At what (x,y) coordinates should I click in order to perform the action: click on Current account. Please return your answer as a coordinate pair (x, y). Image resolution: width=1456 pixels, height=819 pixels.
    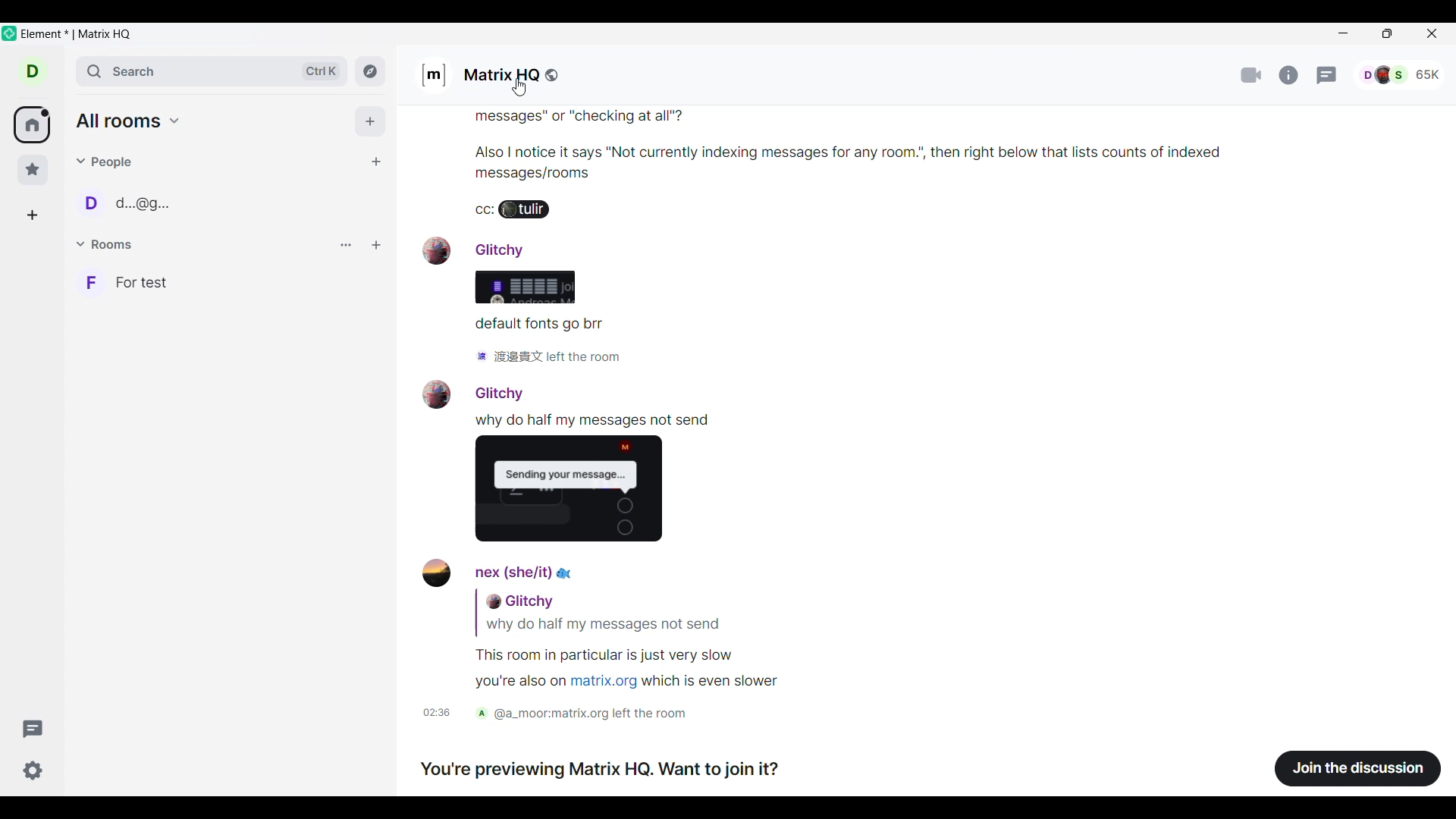
    Looking at the image, I should click on (33, 71).